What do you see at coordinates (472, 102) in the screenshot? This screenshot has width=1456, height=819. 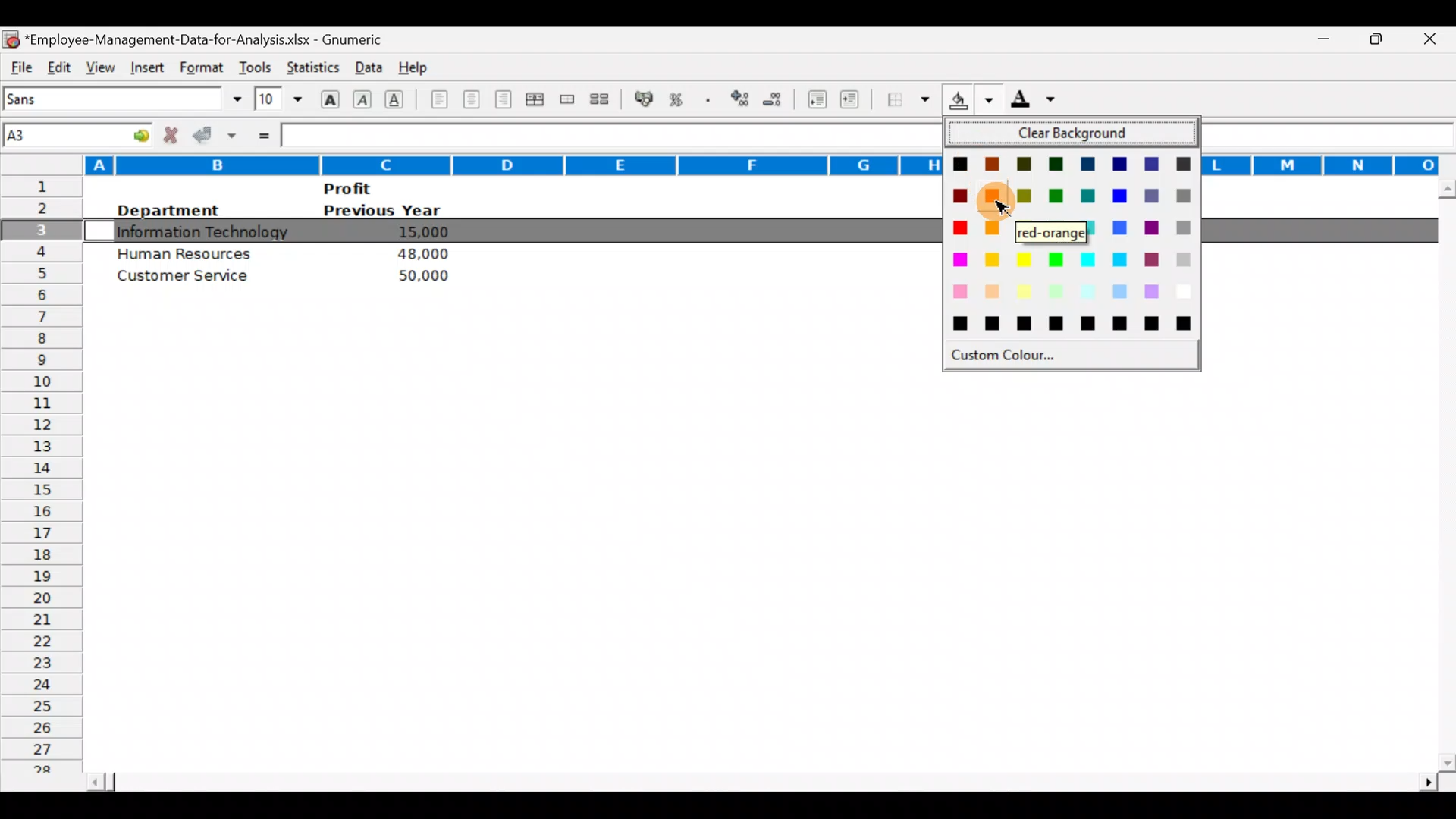 I see `Centre horizontally` at bounding box center [472, 102].